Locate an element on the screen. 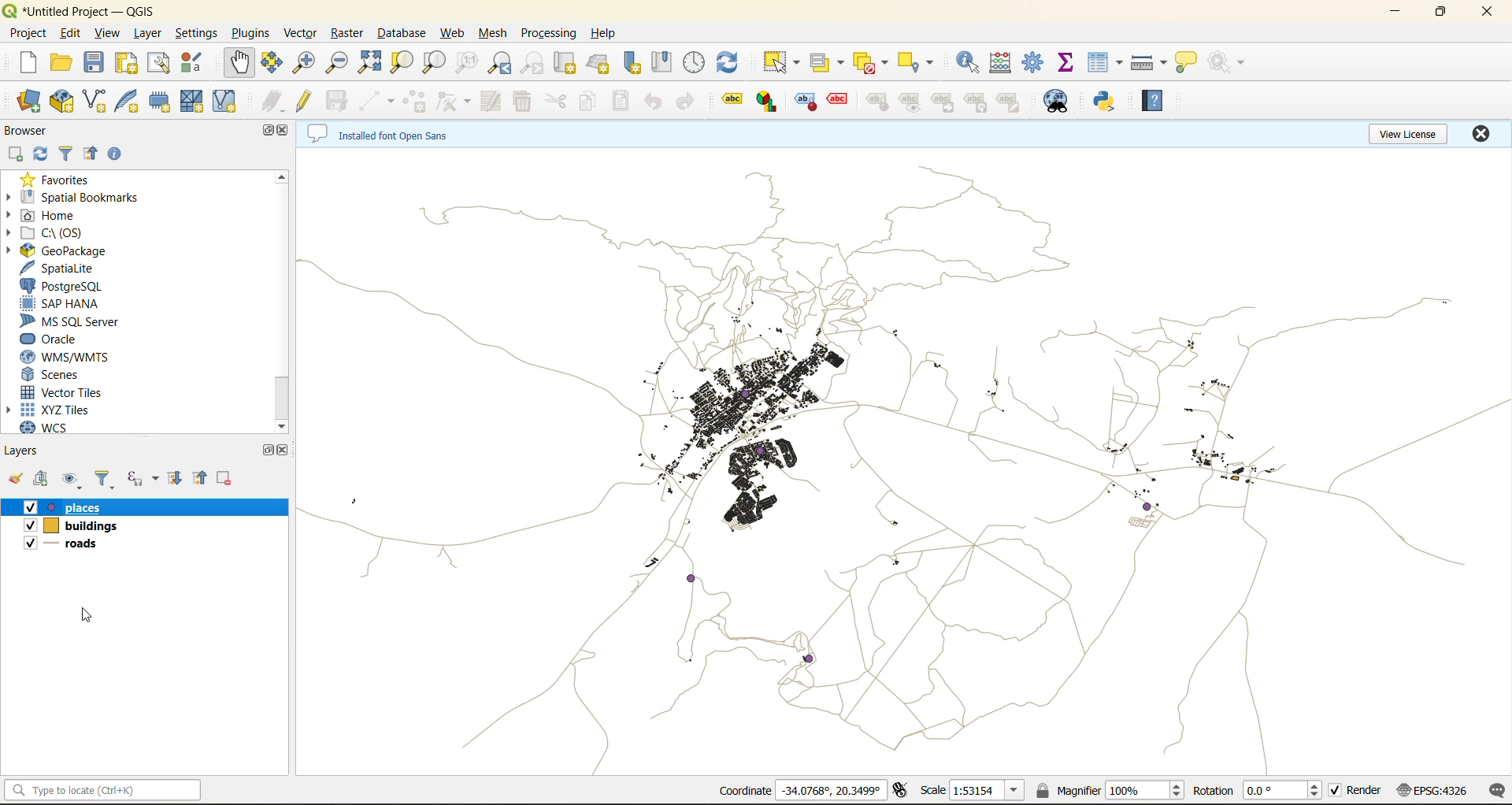 This screenshot has width=1512, height=805. refresh is located at coordinates (37, 156).